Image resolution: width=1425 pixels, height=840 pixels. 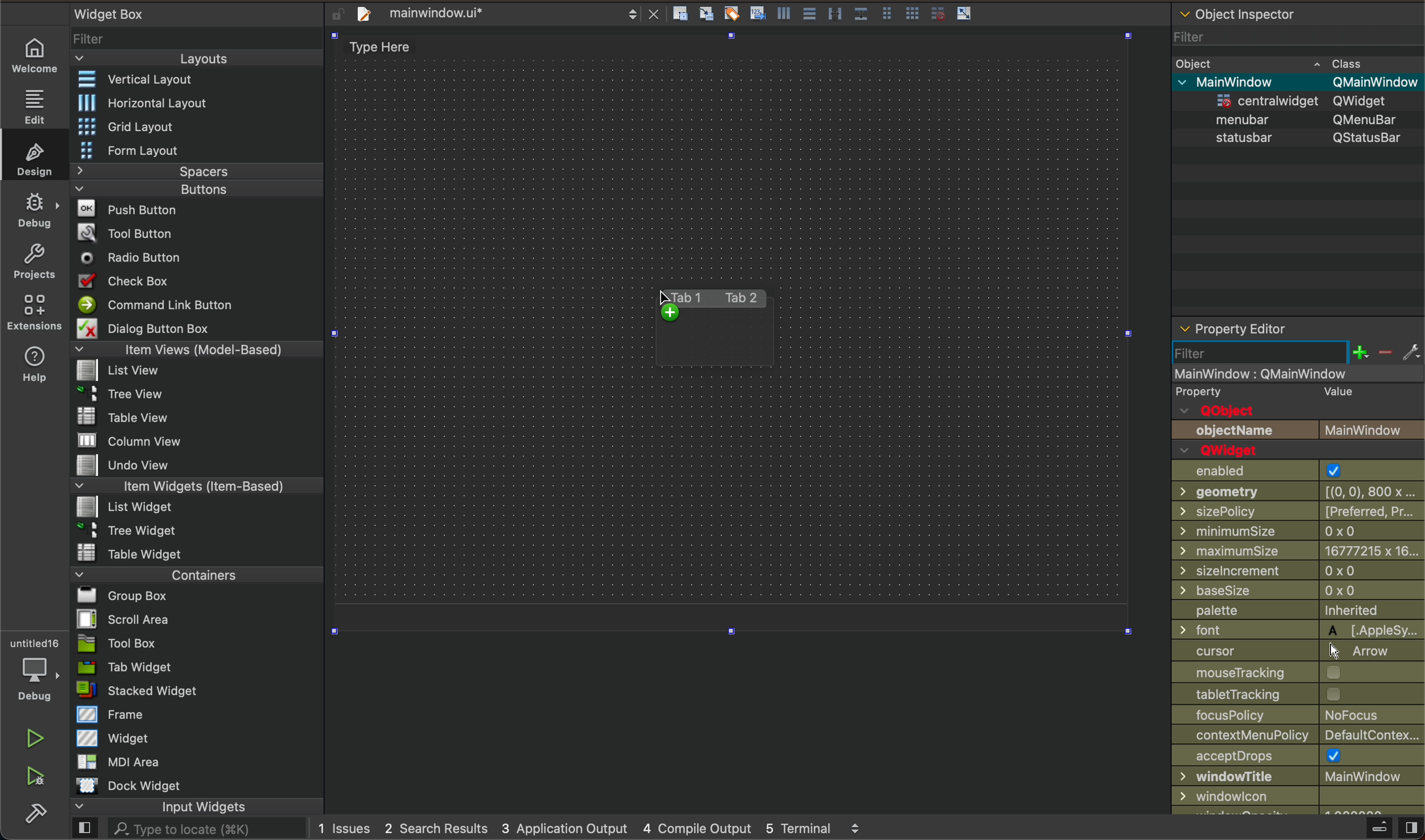 I want to click on Dialog Button Box, so click(x=139, y=327).